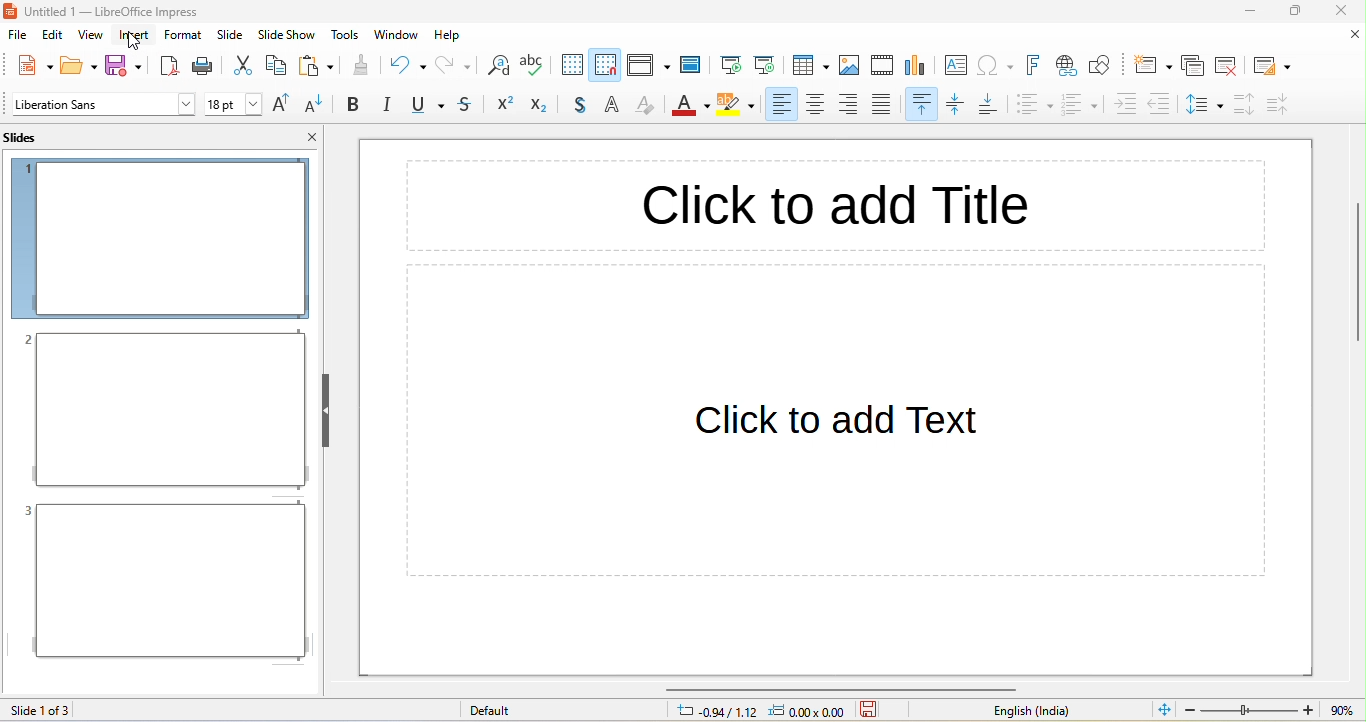 The width and height of the screenshot is (1366, 722). I want to click on click to add text, so click(841, 448).